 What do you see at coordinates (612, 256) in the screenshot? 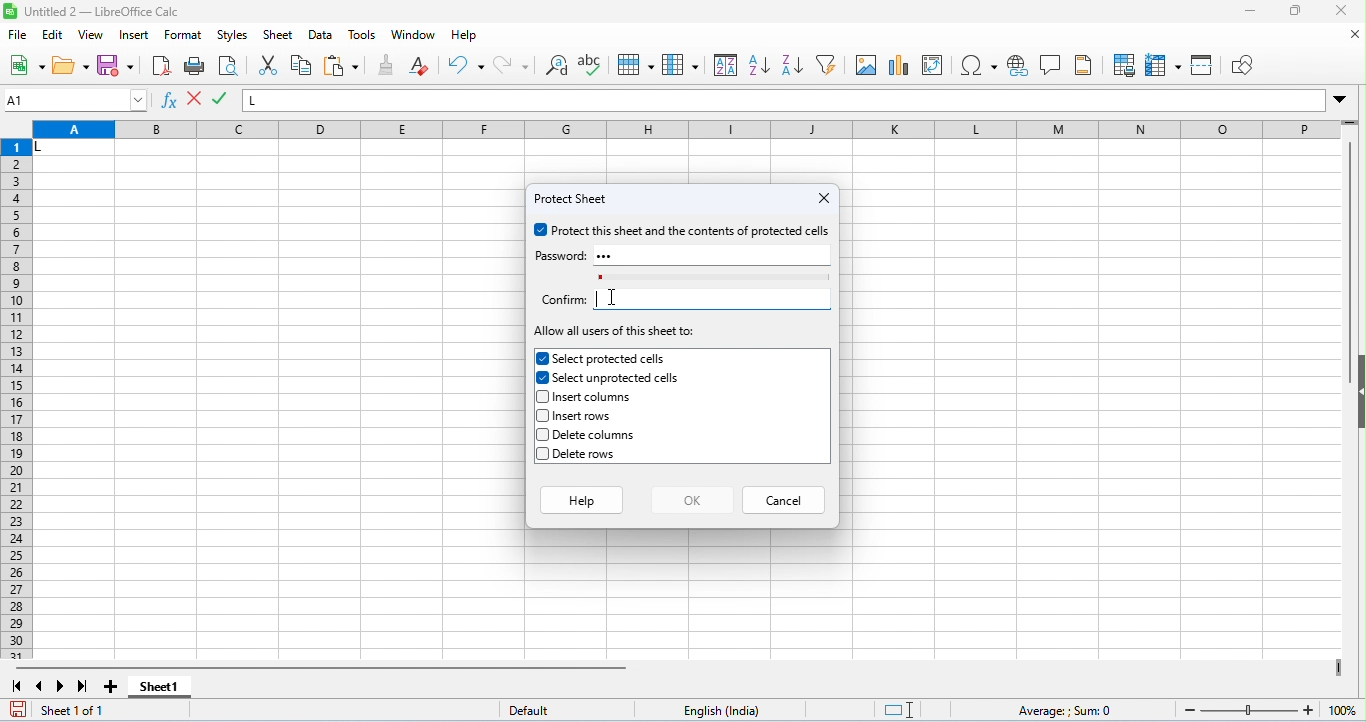
I see `password typed` at bounding box center [612, 256].